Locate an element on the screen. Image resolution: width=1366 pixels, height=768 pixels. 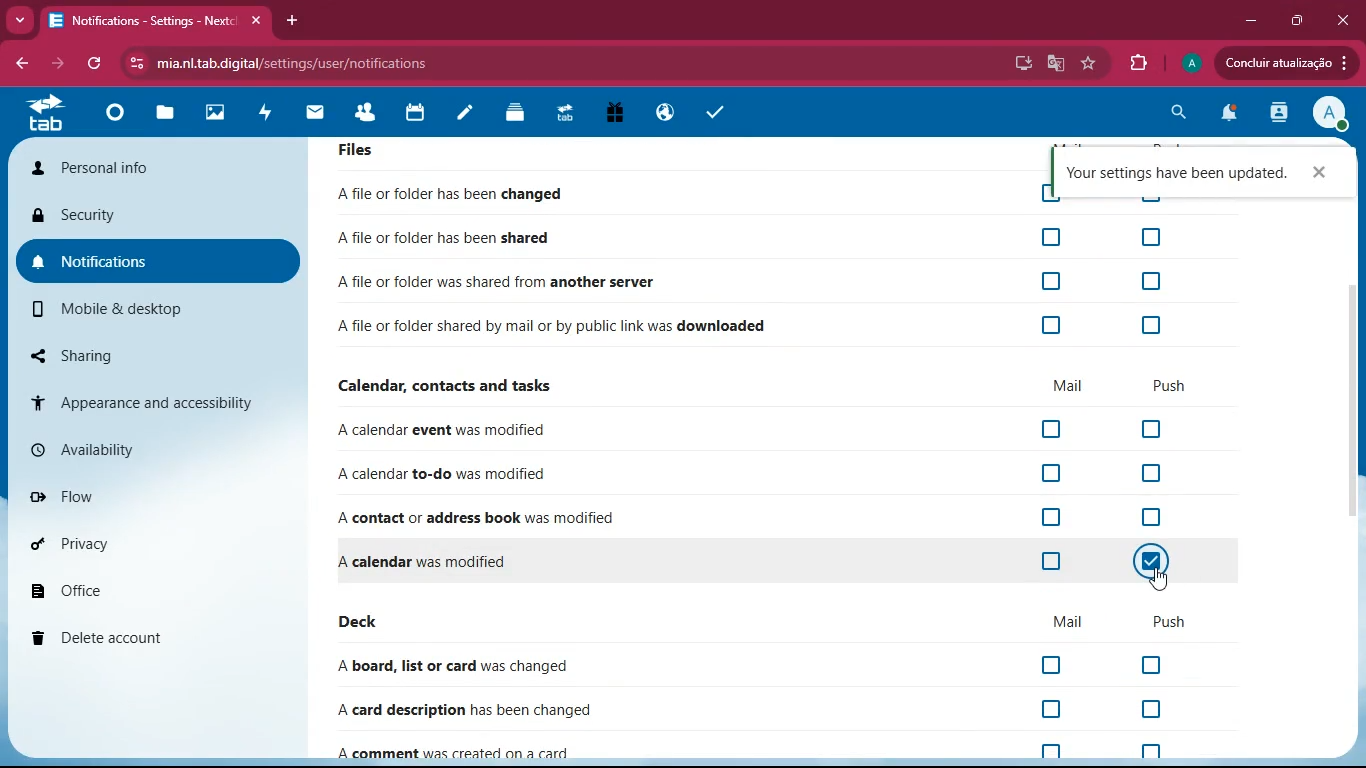
personal info is located at coordinates (158, 170).